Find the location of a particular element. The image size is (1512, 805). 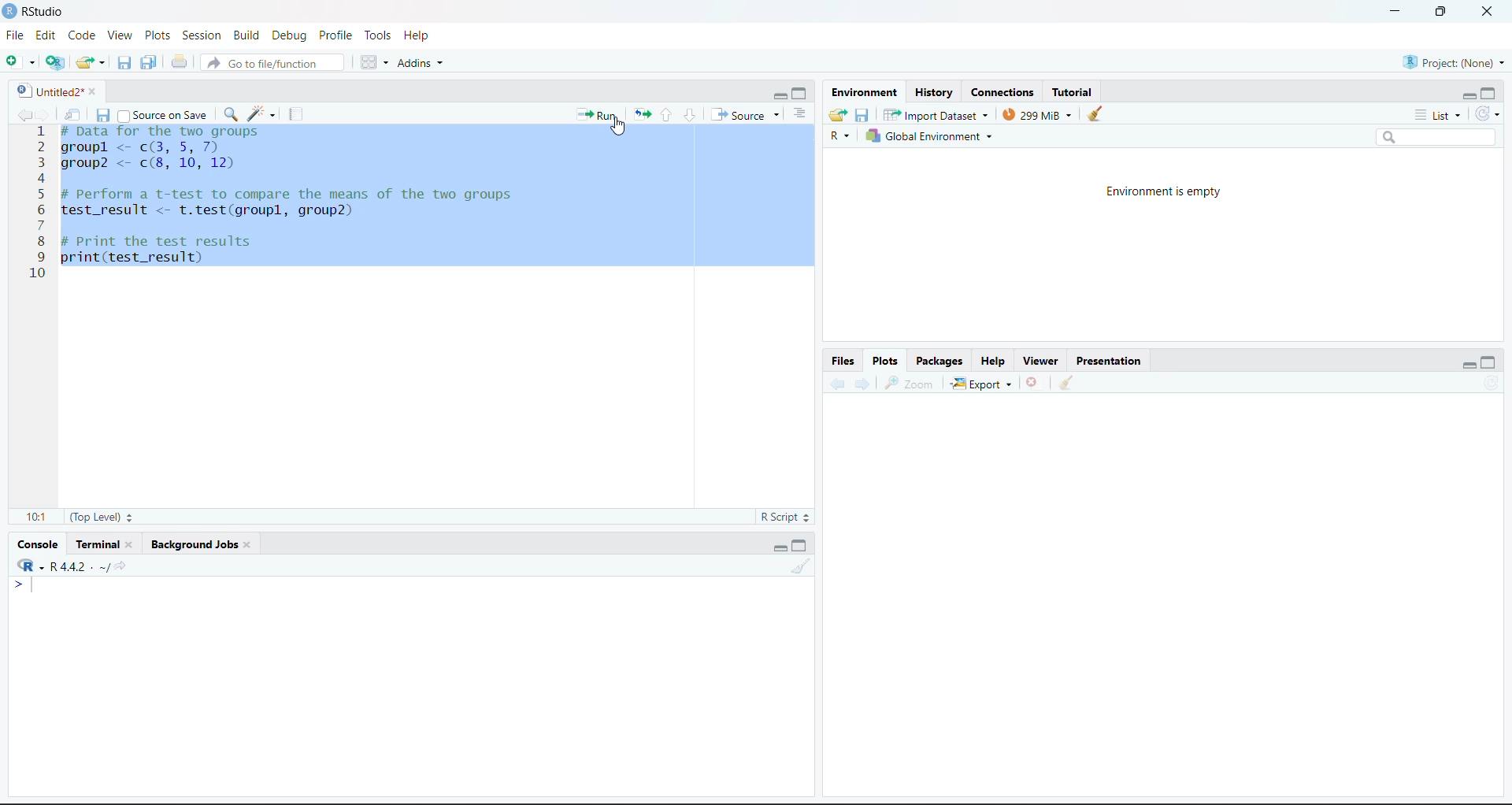

maximize is located at coordinates (1443, 11).